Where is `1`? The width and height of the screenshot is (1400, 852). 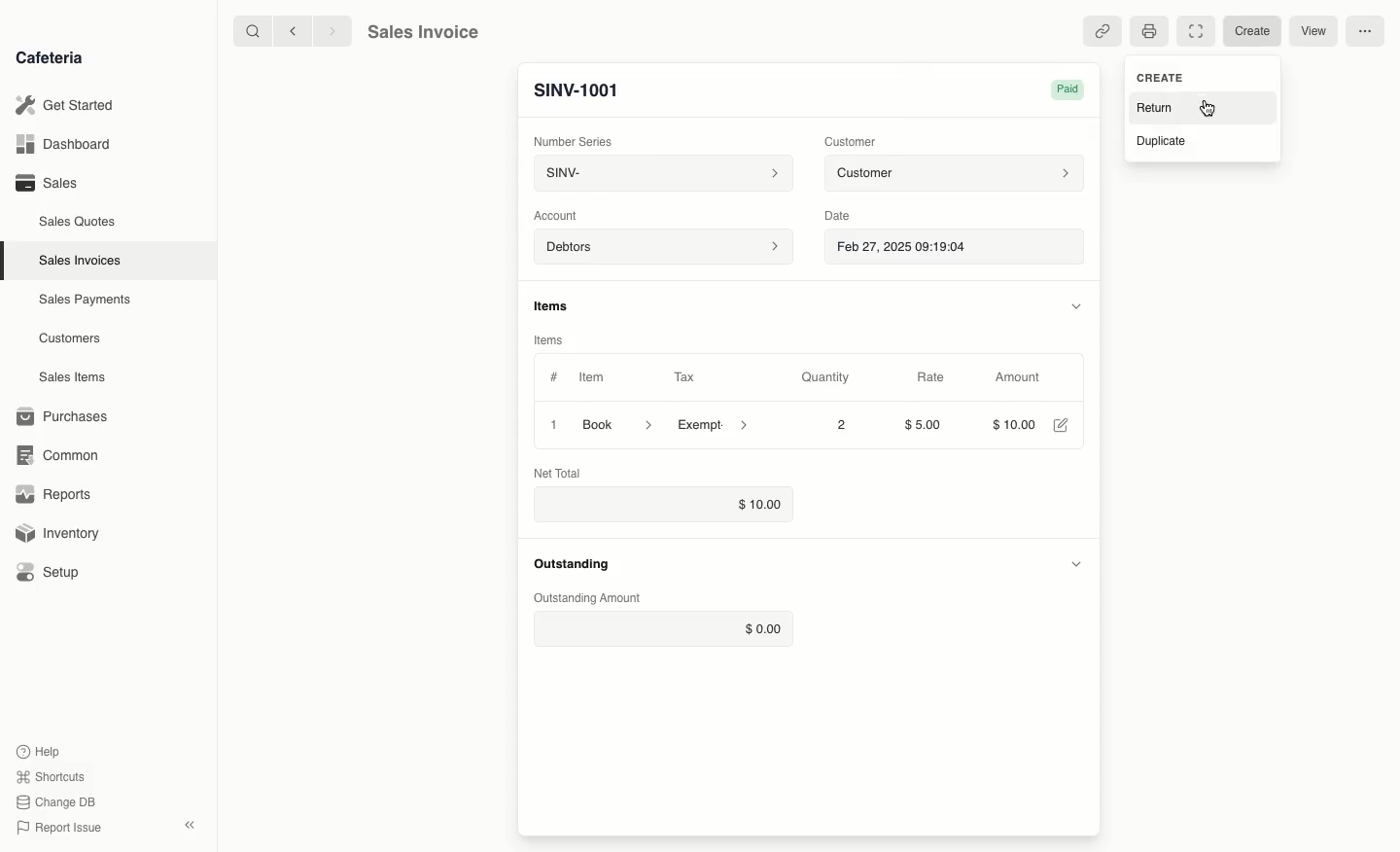
1 is located at coordinates (550, 424).